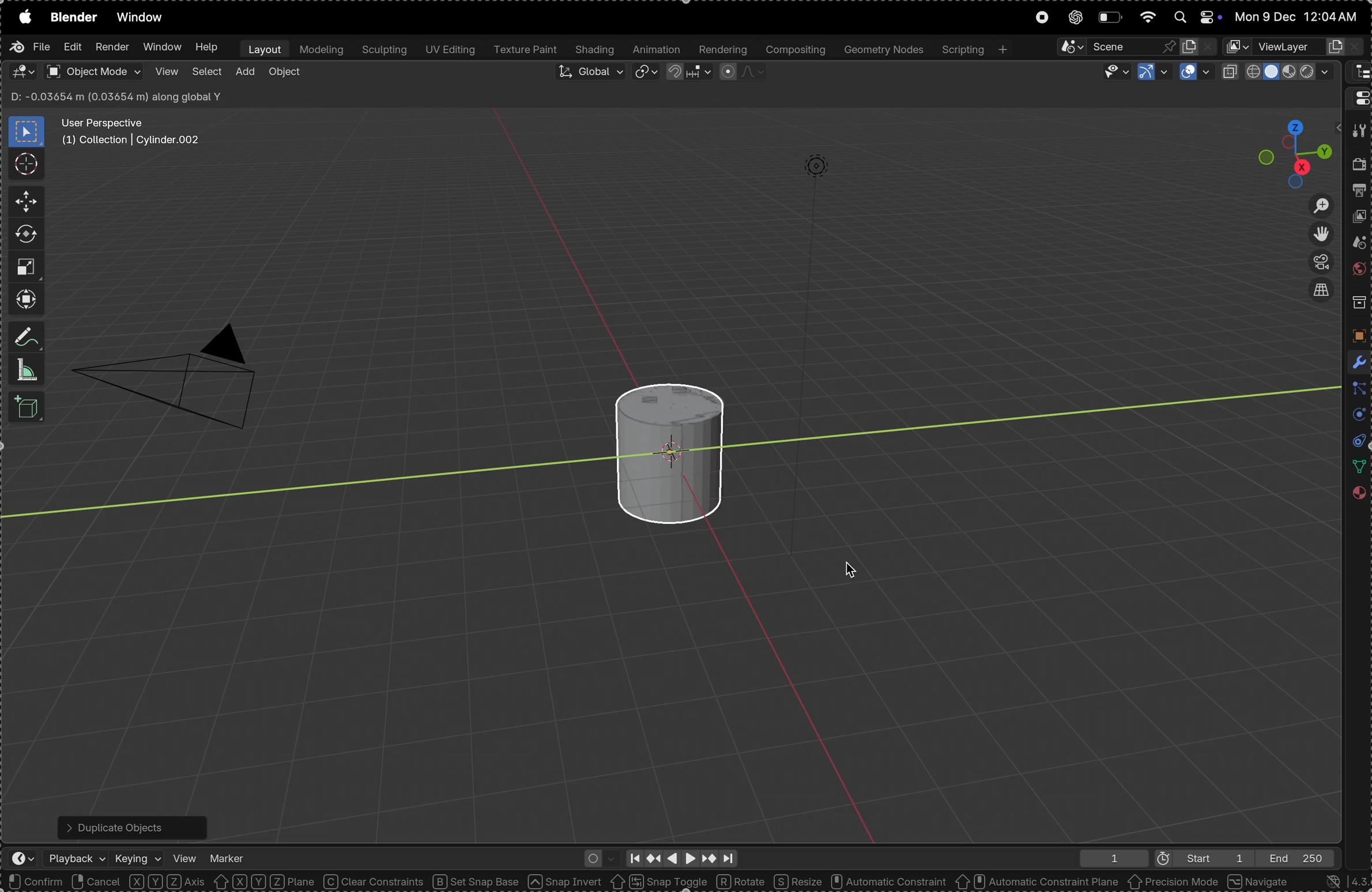 The height and width of the screenshot is (892, 1372). I want to click on apple widgets, so click(1193, 17).